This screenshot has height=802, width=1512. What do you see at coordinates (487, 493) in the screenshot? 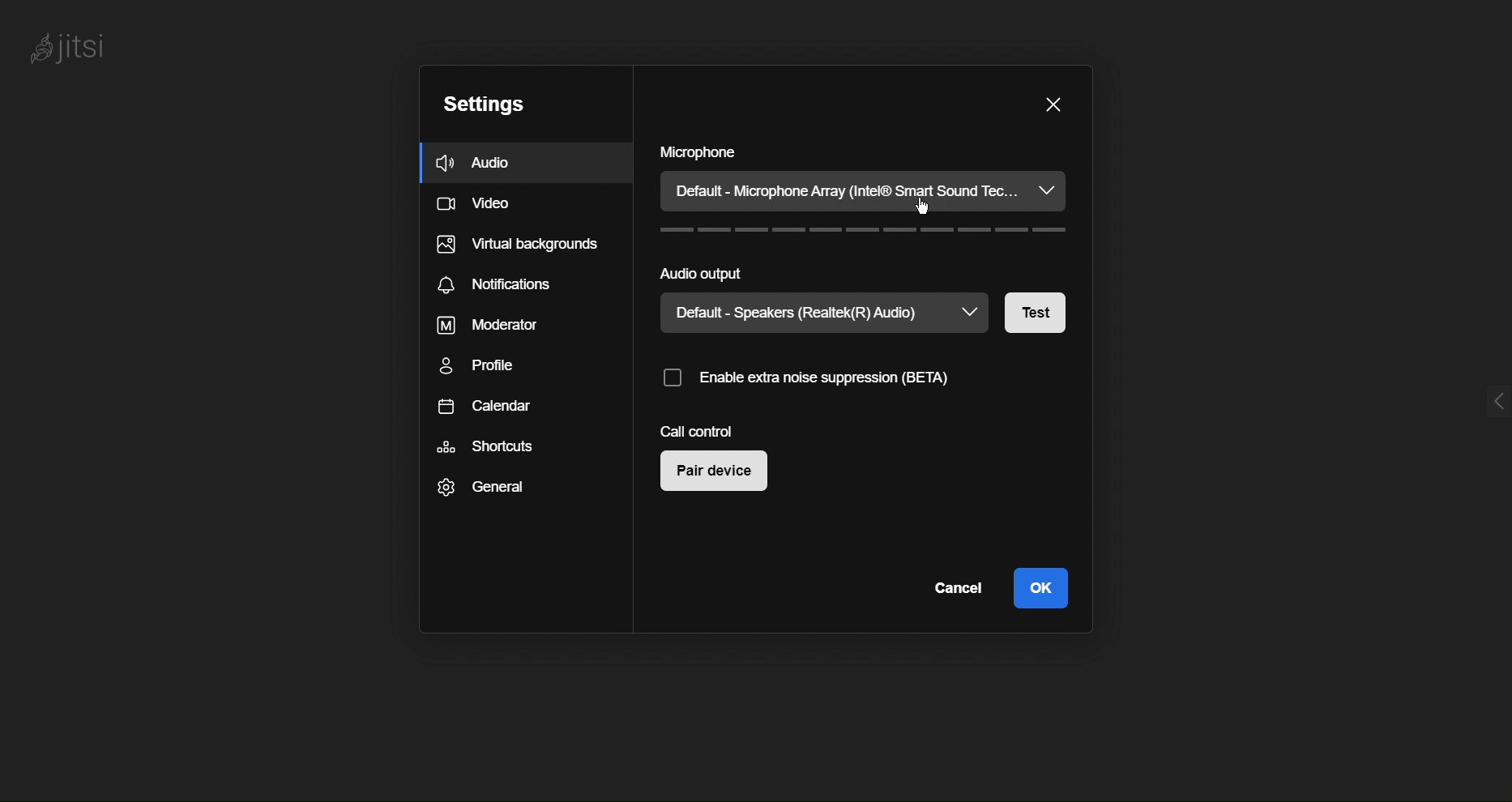
I see `General` at bounding box center [487, 493].